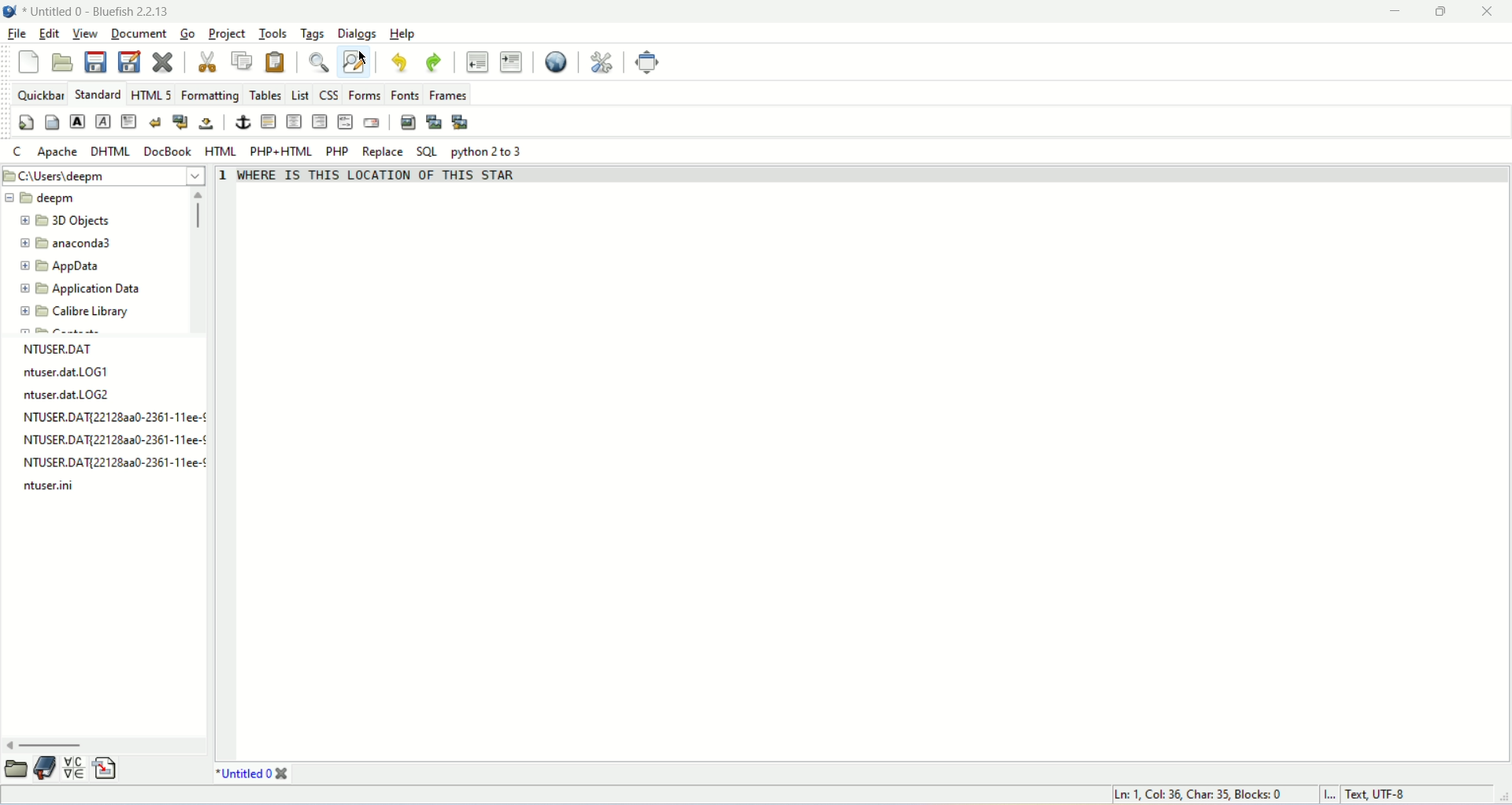 The height and width of the screenshot is (805, 1512). What do you see at coordinates (270, 35) in the screenshot?
I see `tools` at bounding box center [270, 35].